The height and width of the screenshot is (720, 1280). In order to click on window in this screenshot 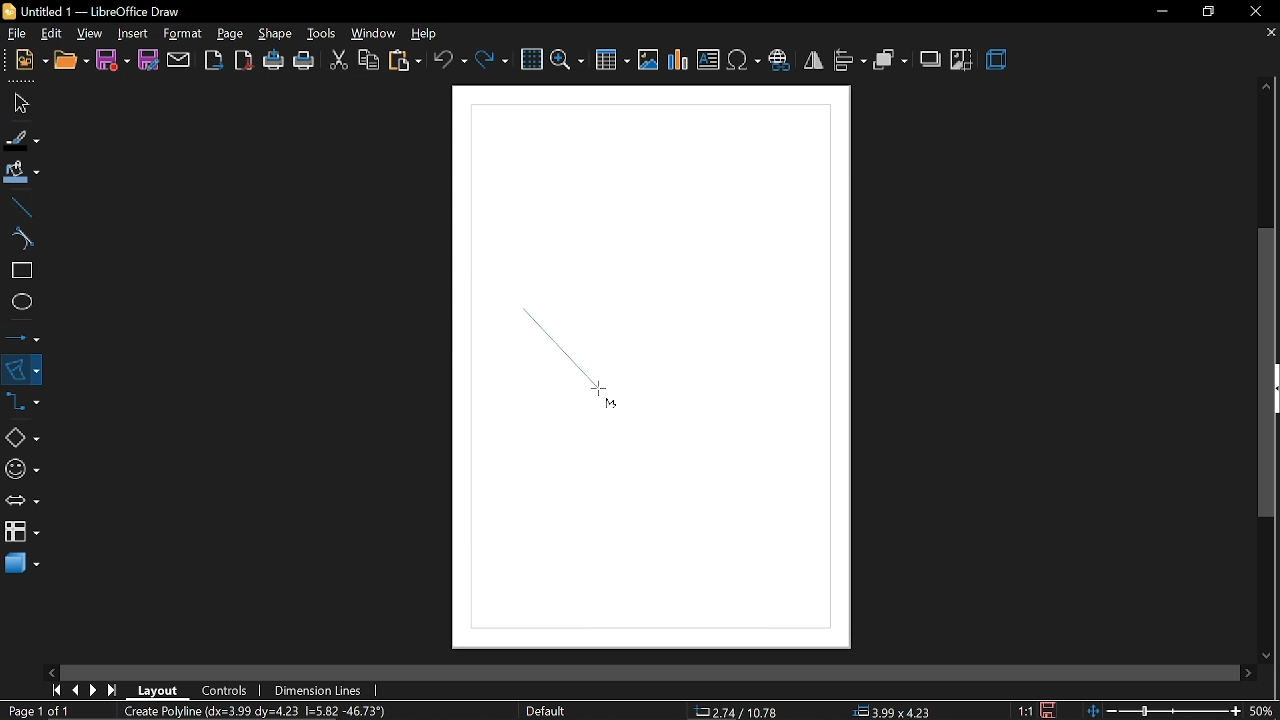, I will do `click(372, 34)`.